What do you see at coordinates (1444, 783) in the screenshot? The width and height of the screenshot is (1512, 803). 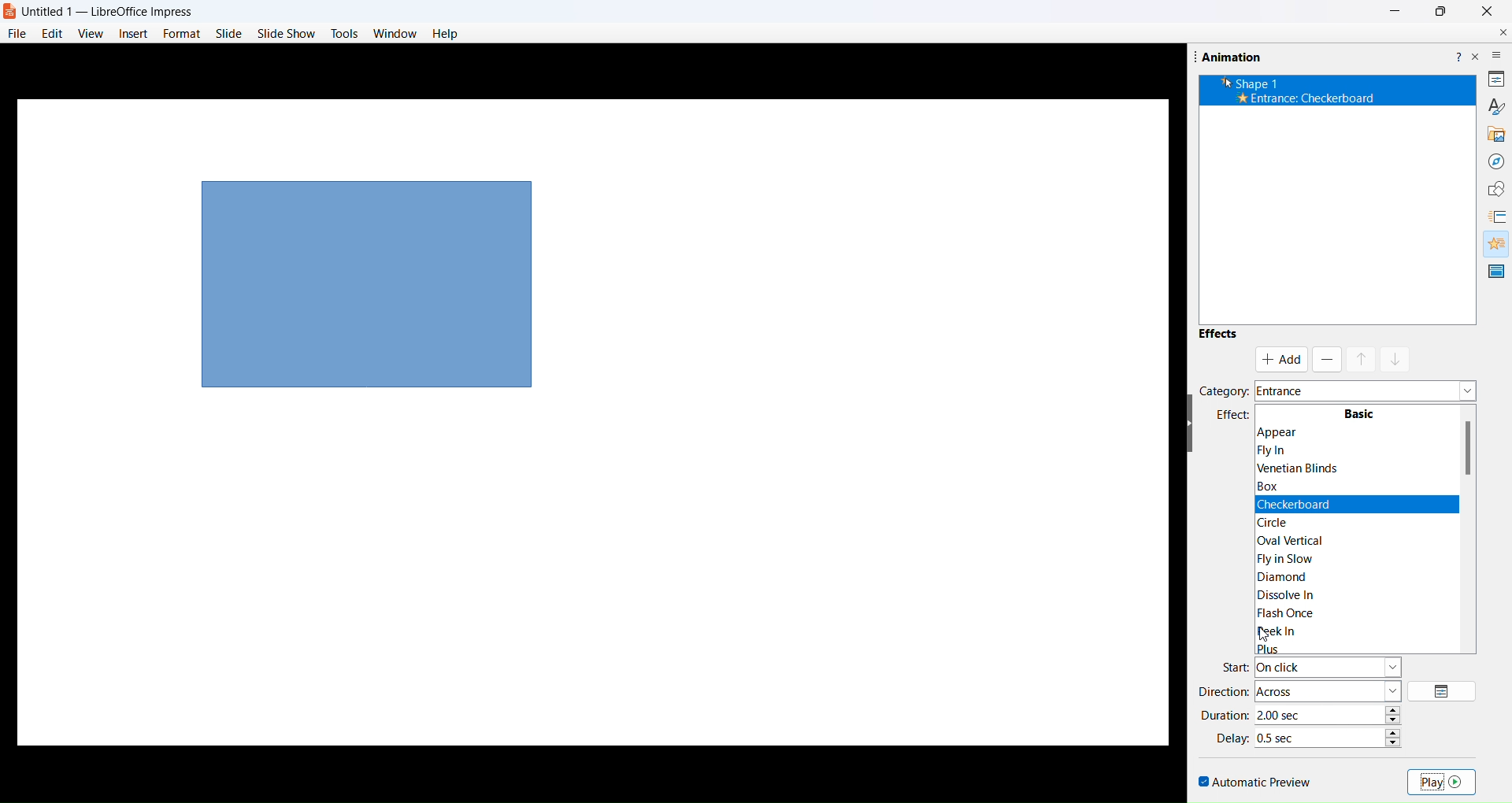 I see `play` at bounding box center [1444, 783].